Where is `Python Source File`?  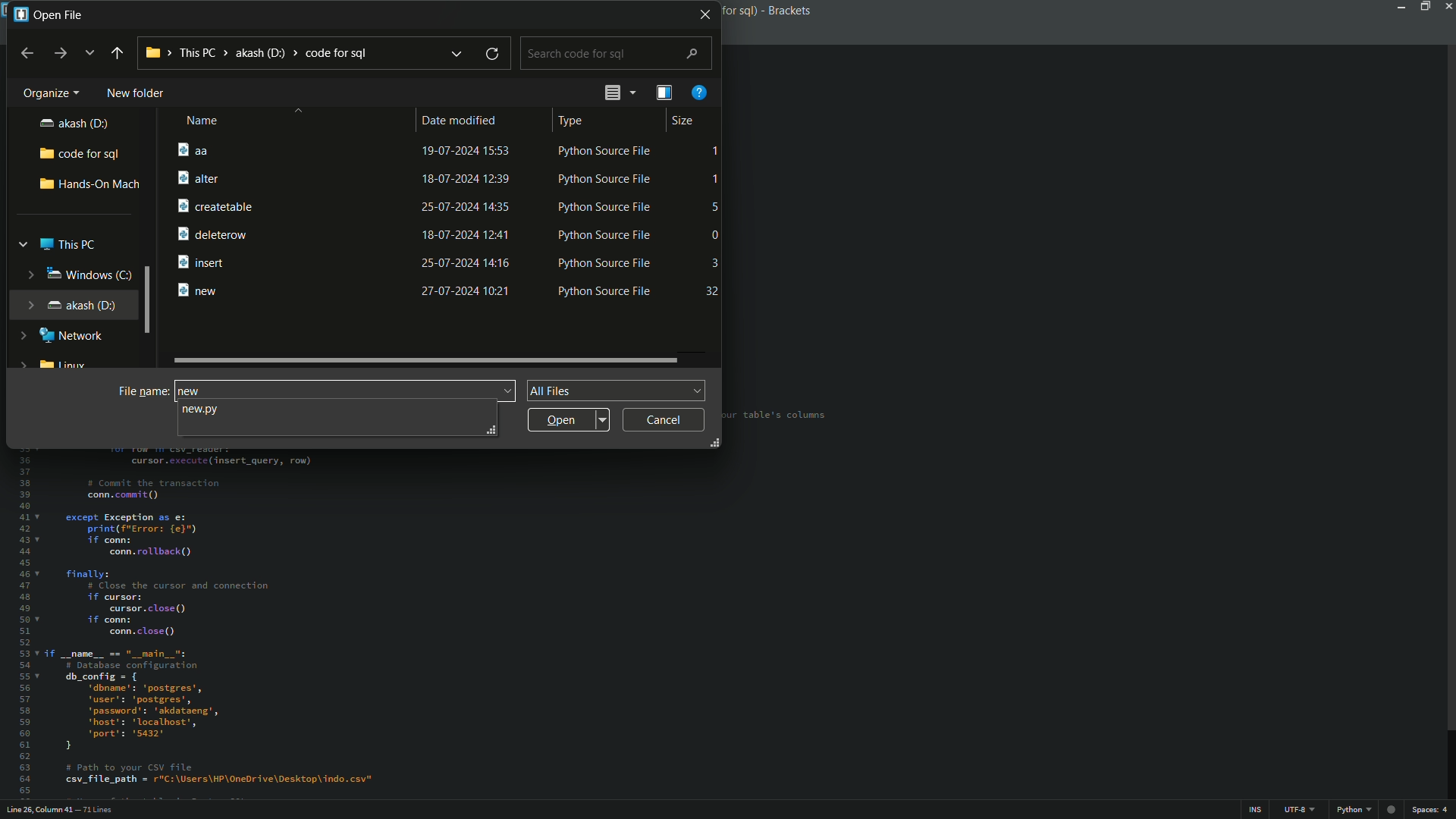 Python Source File is located at coordinates (610, 294).